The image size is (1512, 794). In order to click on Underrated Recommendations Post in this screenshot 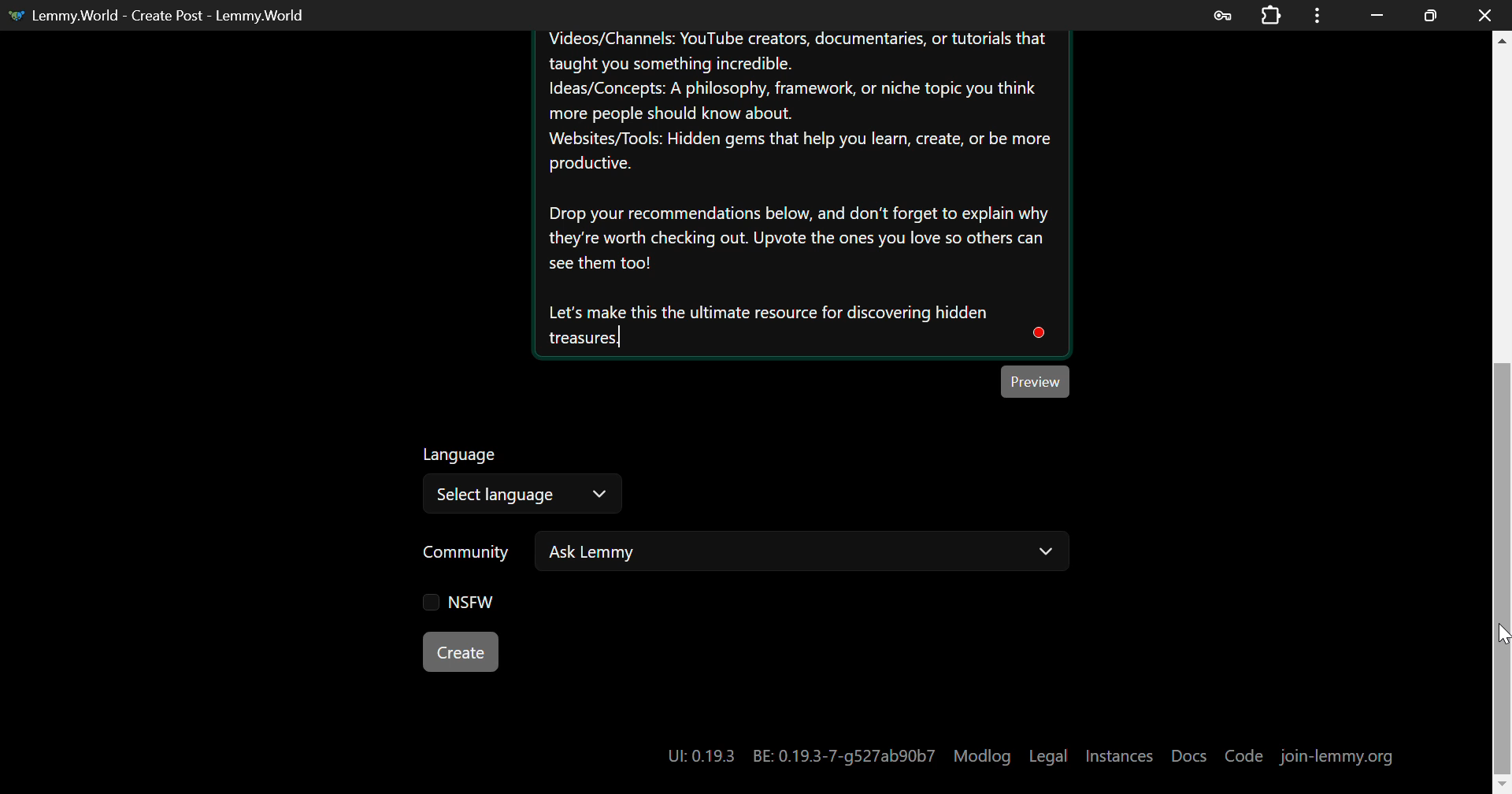, I will do `click(799, 194)`.